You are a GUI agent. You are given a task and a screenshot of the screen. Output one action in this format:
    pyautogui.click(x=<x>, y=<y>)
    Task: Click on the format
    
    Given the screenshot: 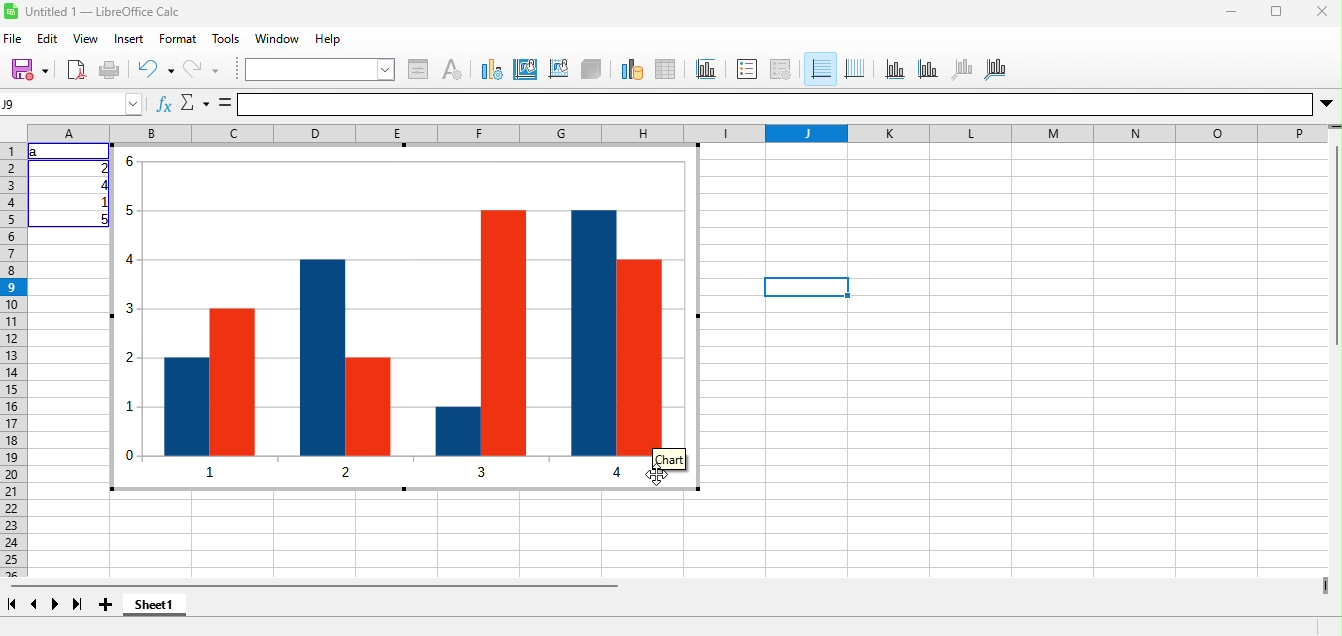 What is the action you would take?
    pyautogui.click(x=178, y=40)
    